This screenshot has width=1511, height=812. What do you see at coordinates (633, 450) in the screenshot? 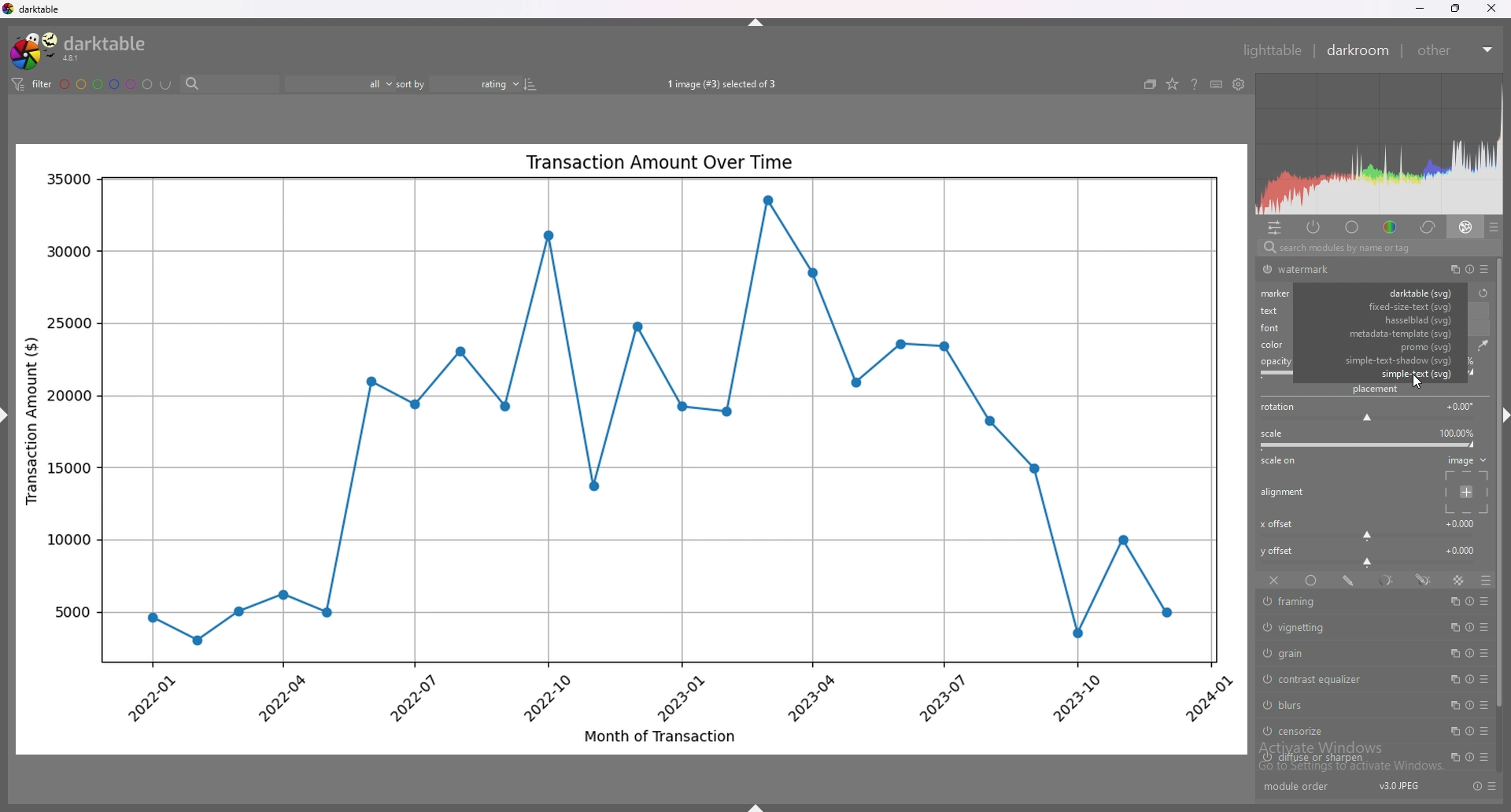
I see `photo` at bounding box center [633, 450].